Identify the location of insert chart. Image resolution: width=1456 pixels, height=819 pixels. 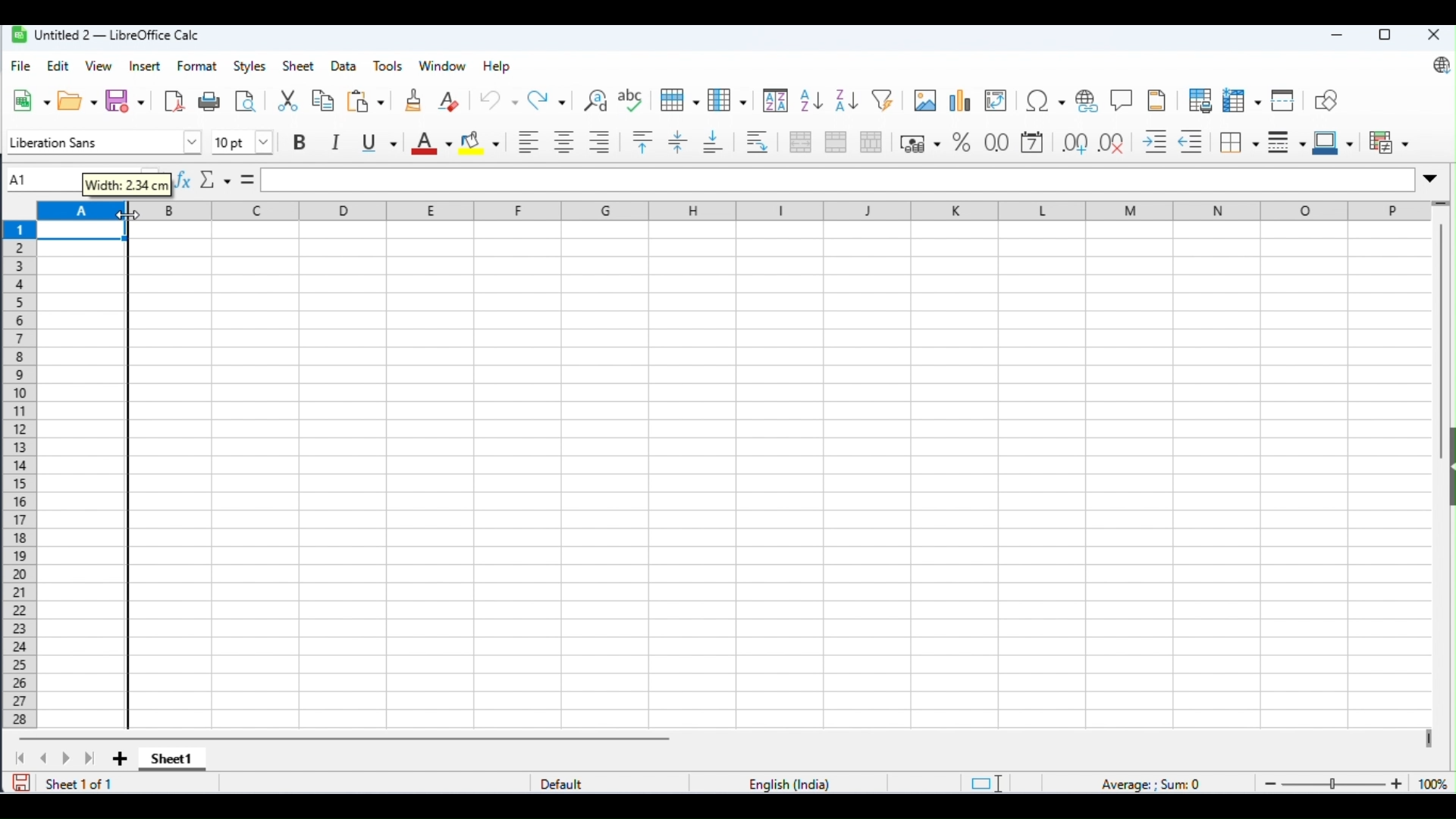
(959, 102).